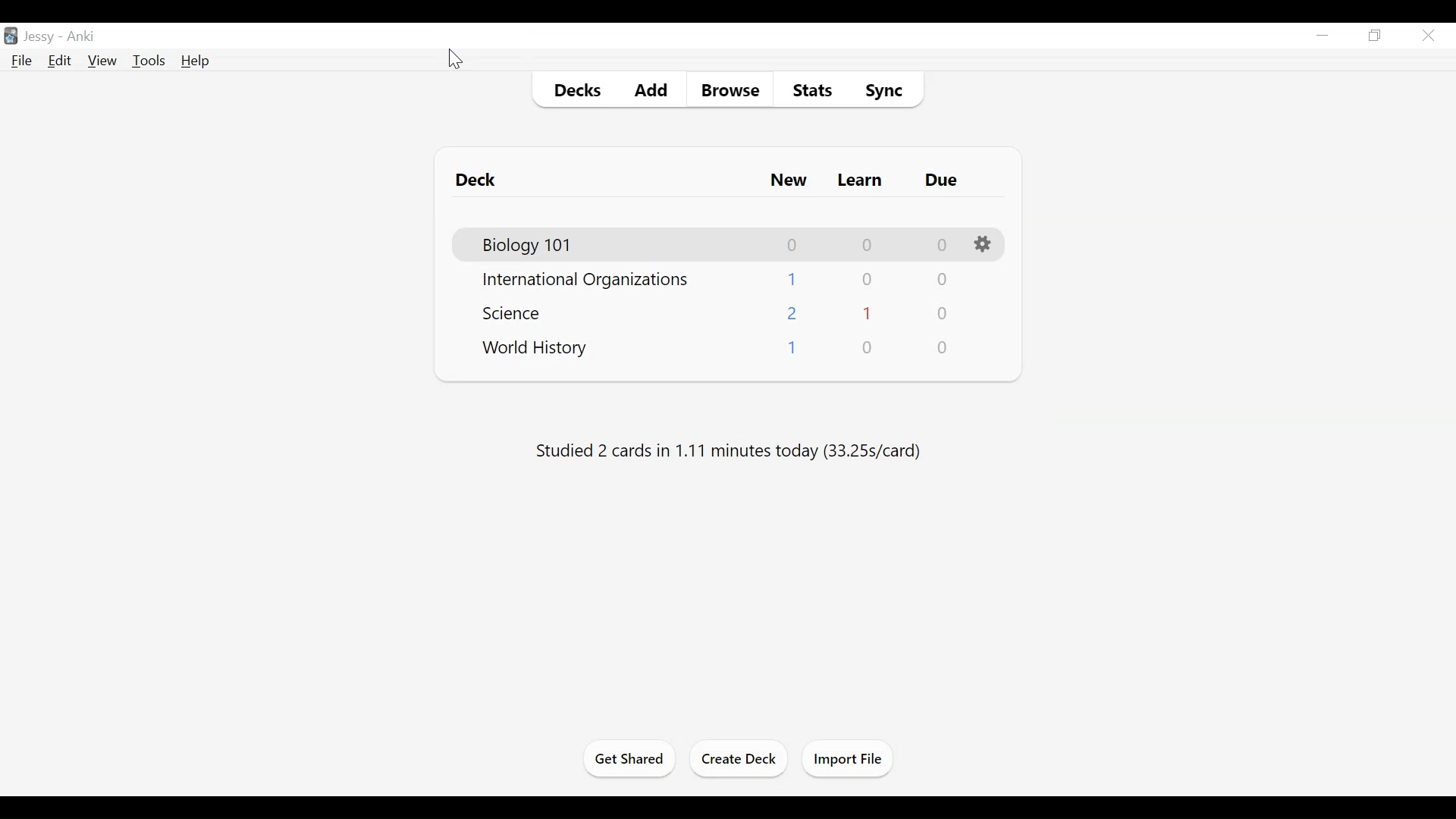 Image resolution: width=1456 pixels, height=819 pixels. What do you see at coordinates (148, 61) in the screenshot?
I see `Tools` at bounding box center [148, 61].